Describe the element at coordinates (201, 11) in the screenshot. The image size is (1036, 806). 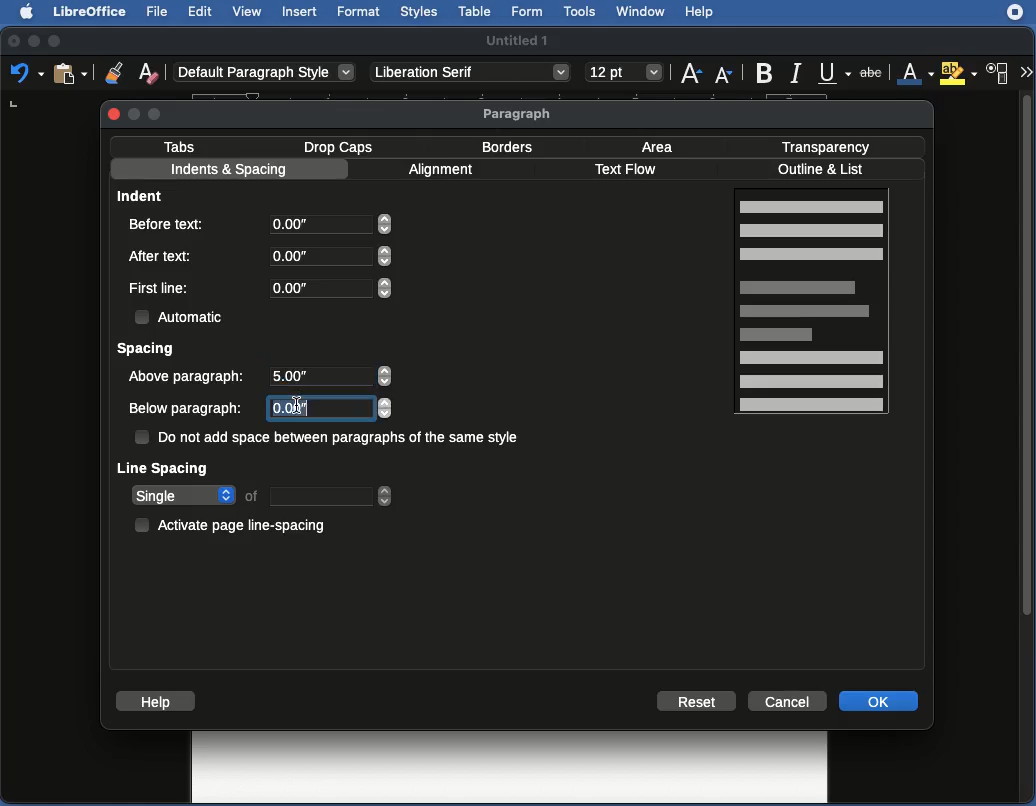
I see `Edit` at that location.